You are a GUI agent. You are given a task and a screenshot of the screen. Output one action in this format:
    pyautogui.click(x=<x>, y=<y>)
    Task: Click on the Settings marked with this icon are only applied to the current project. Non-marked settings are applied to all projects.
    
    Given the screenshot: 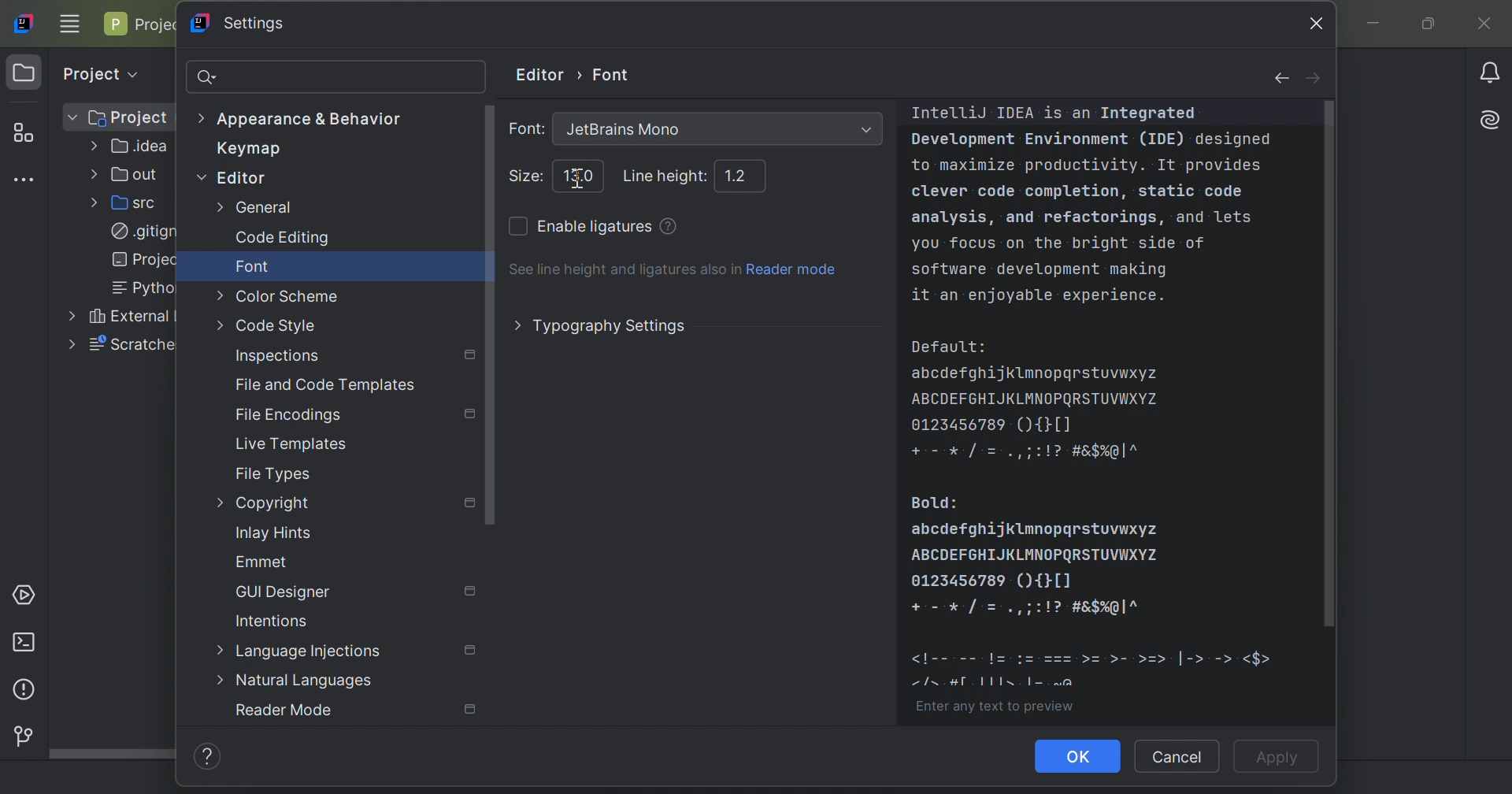 What is the action you would take?
    pyautogui.click(x=472, y=651)
    